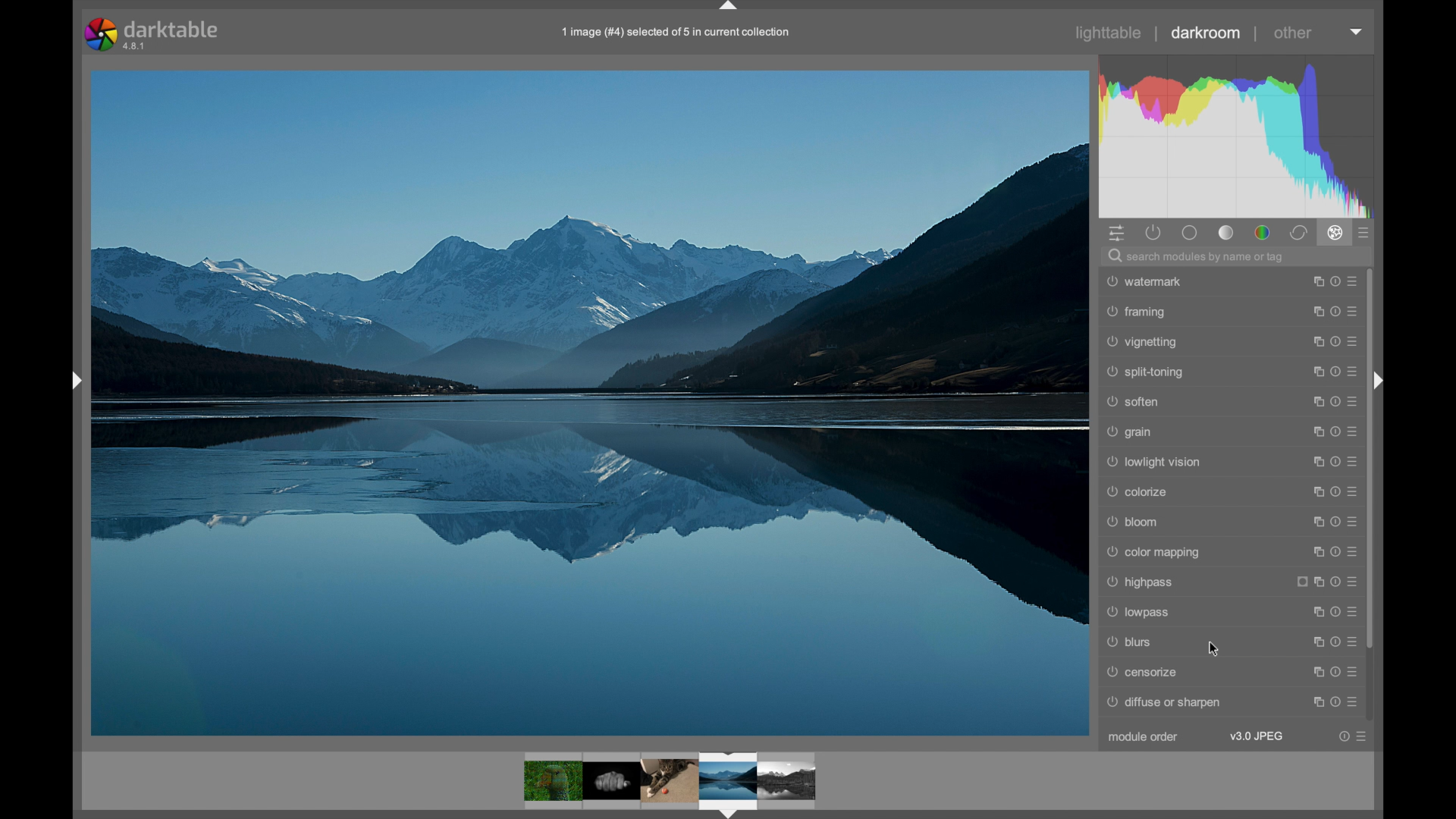  I want to click on highpass, so click(1141, 582).